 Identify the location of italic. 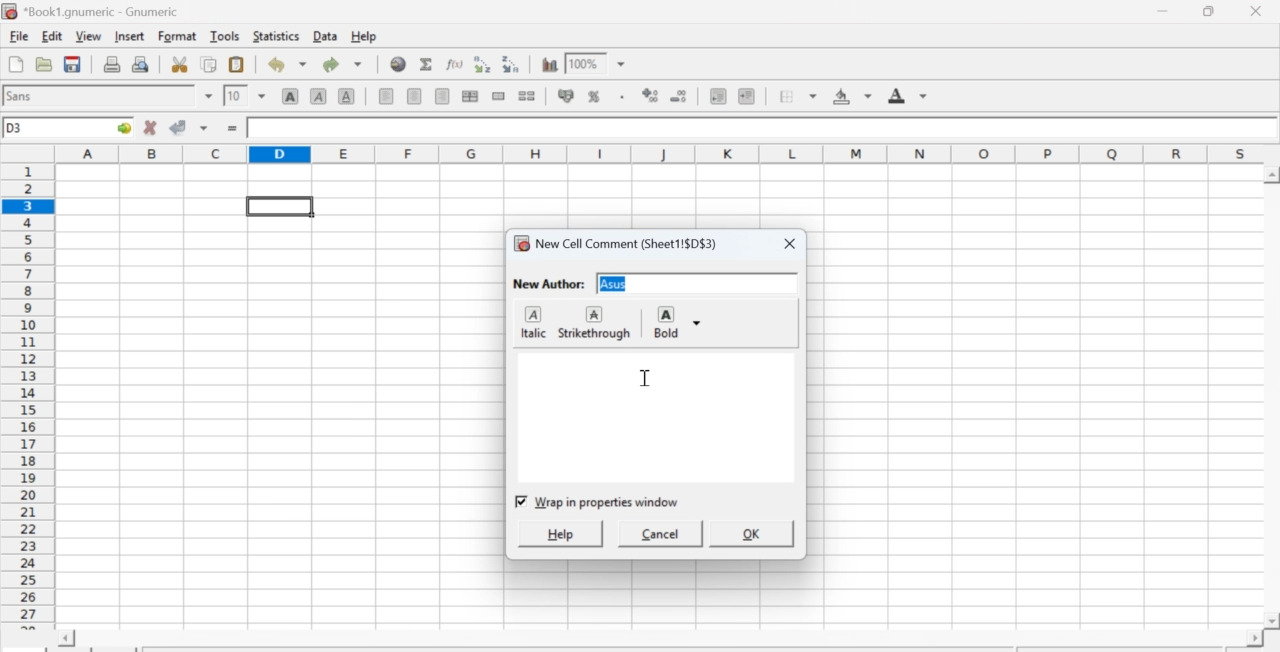
(531, 323).